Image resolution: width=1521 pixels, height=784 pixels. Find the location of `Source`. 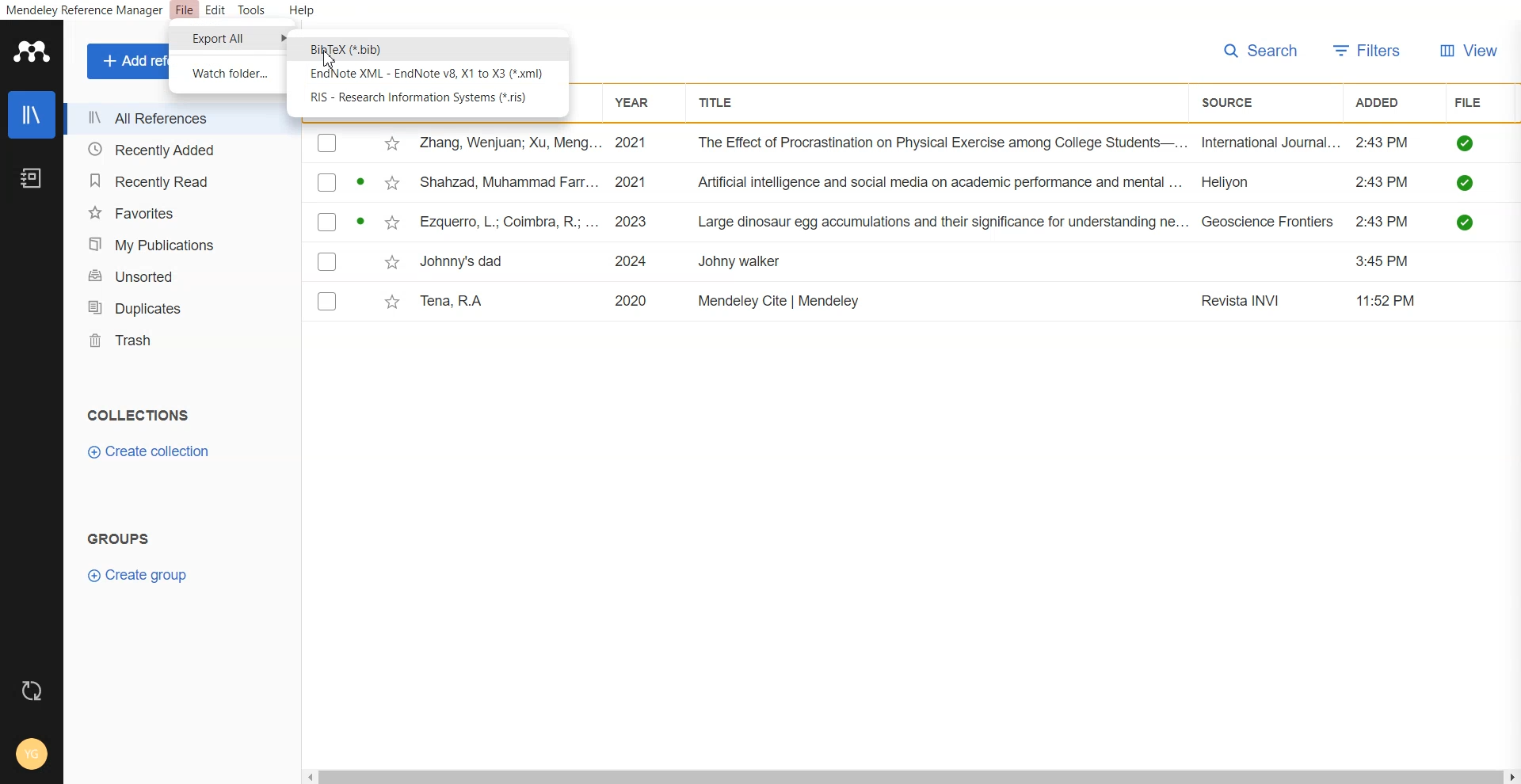

Source is located at coordinates (1235, 103).